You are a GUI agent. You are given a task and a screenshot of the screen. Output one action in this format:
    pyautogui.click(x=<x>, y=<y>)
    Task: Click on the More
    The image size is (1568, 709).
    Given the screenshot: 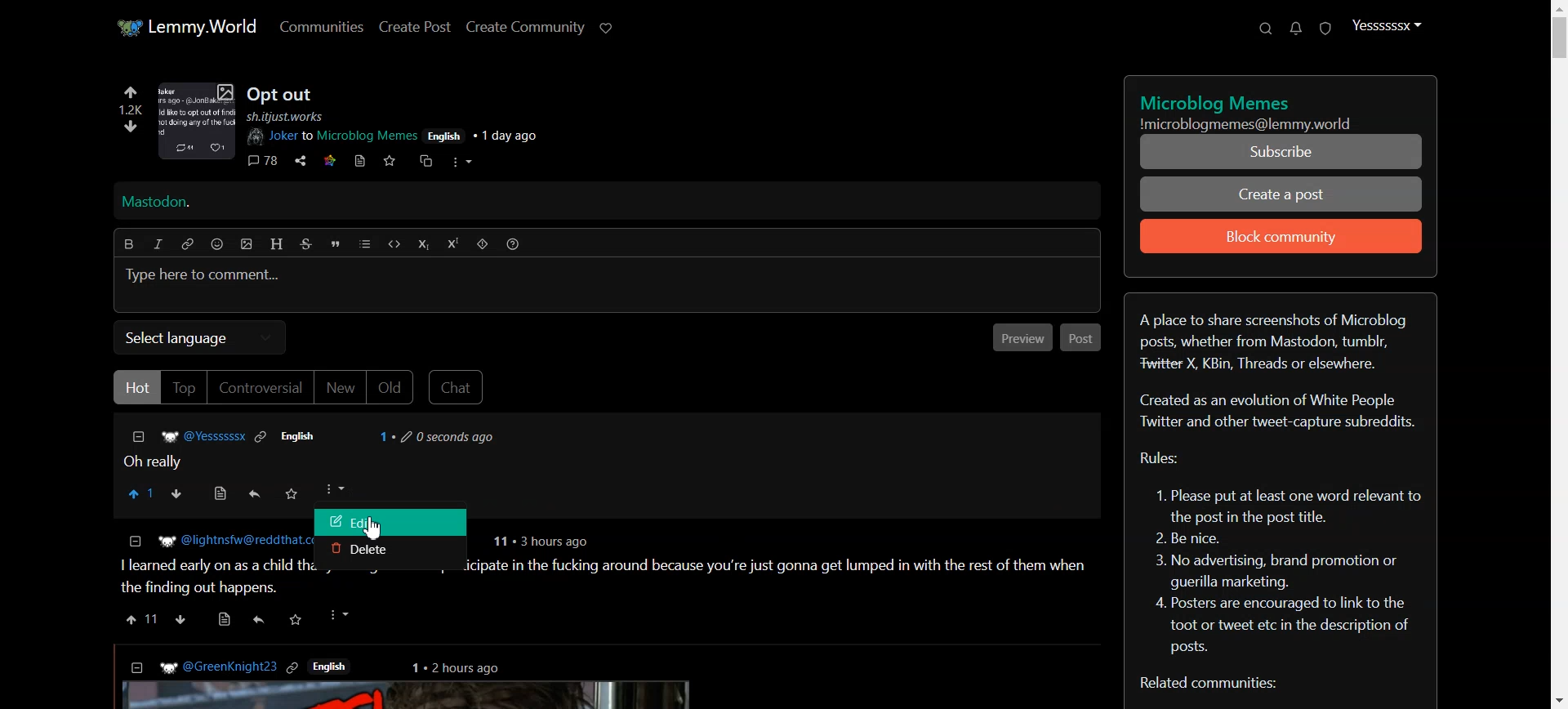 What is the action you would take?
    pyautogui.click(x=334, y=493)
    